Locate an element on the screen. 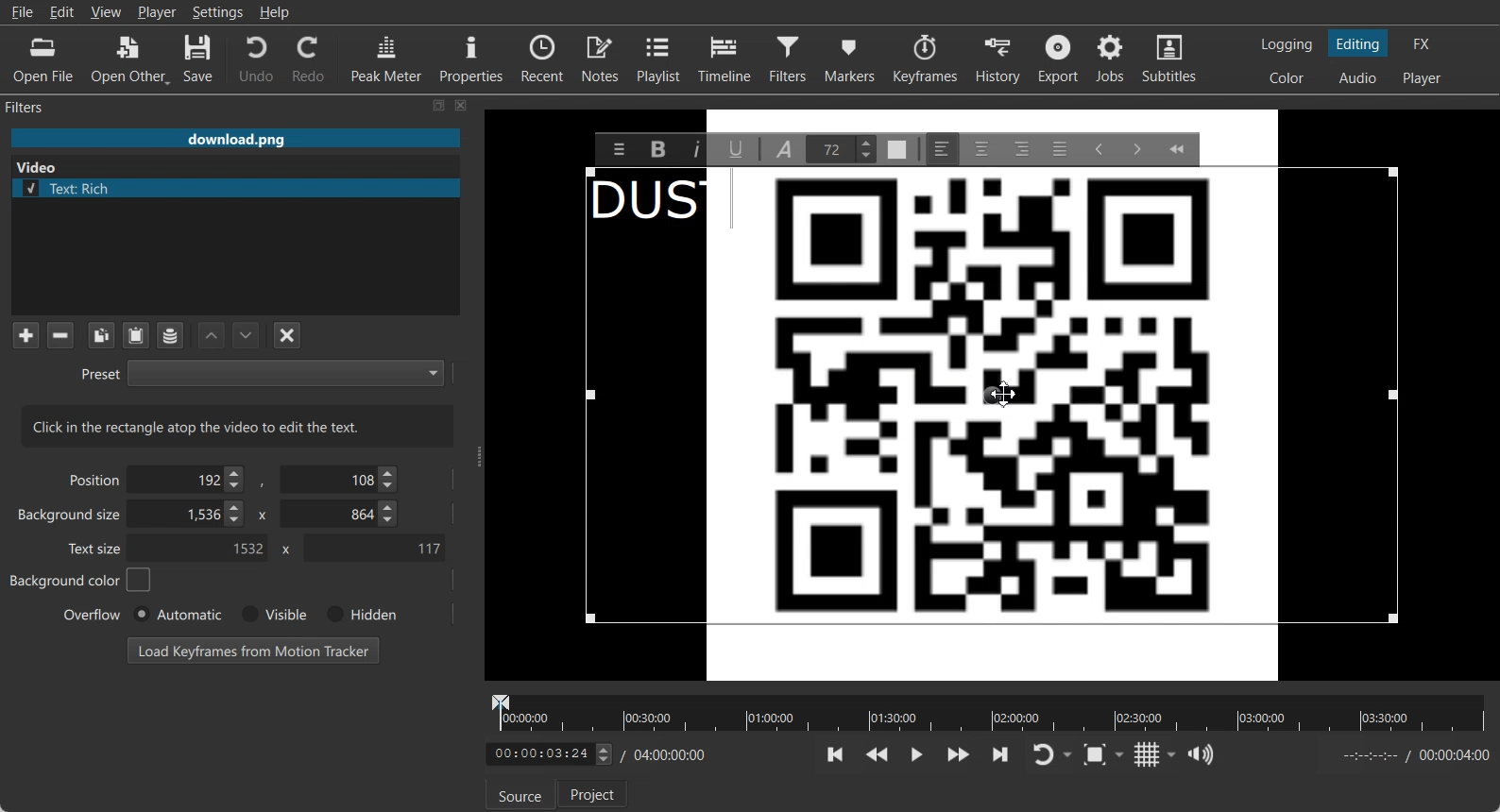  Move Filter up is located at coordinates (212, 336).